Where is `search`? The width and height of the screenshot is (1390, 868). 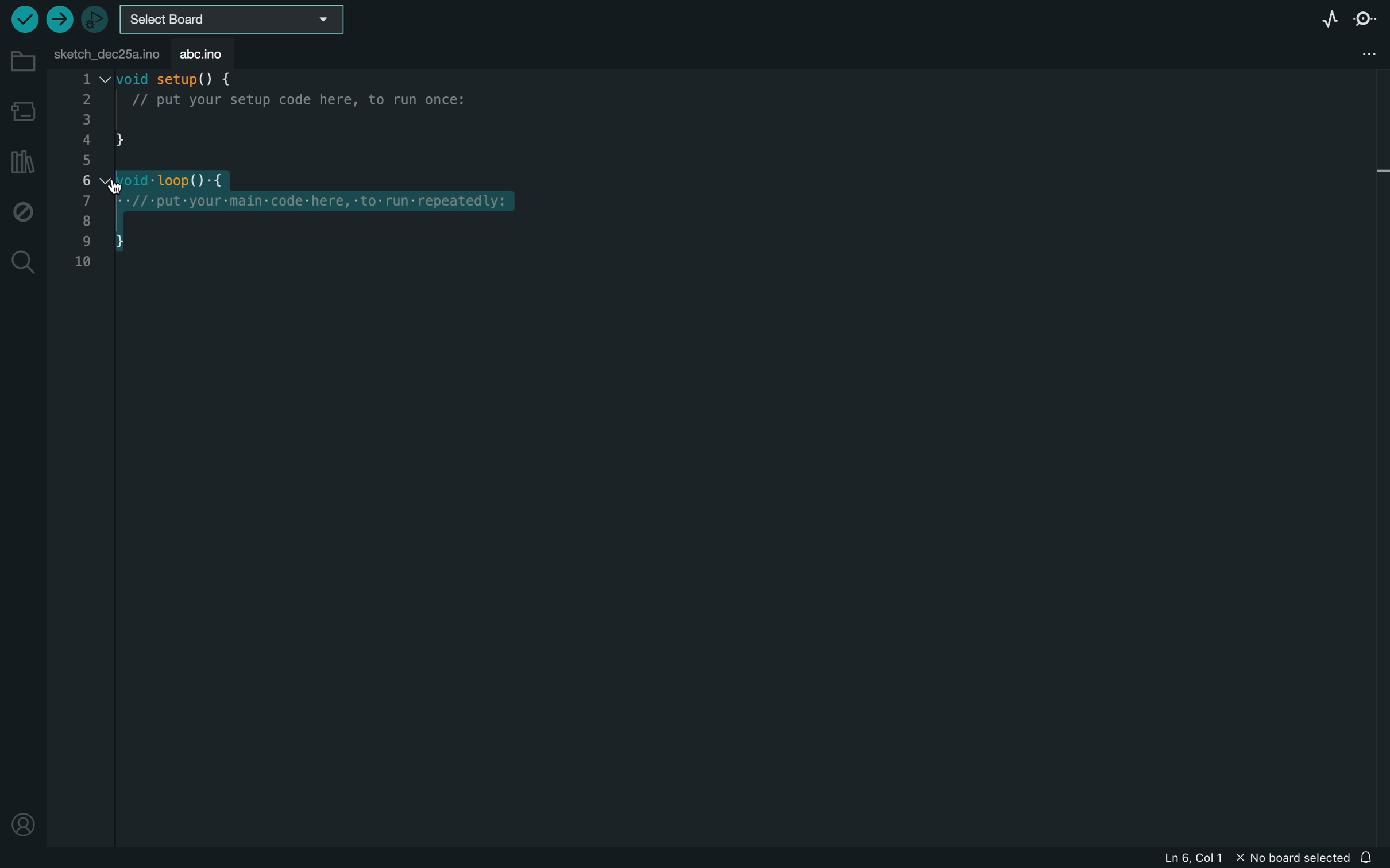
search is located at coordinates (22, 263).